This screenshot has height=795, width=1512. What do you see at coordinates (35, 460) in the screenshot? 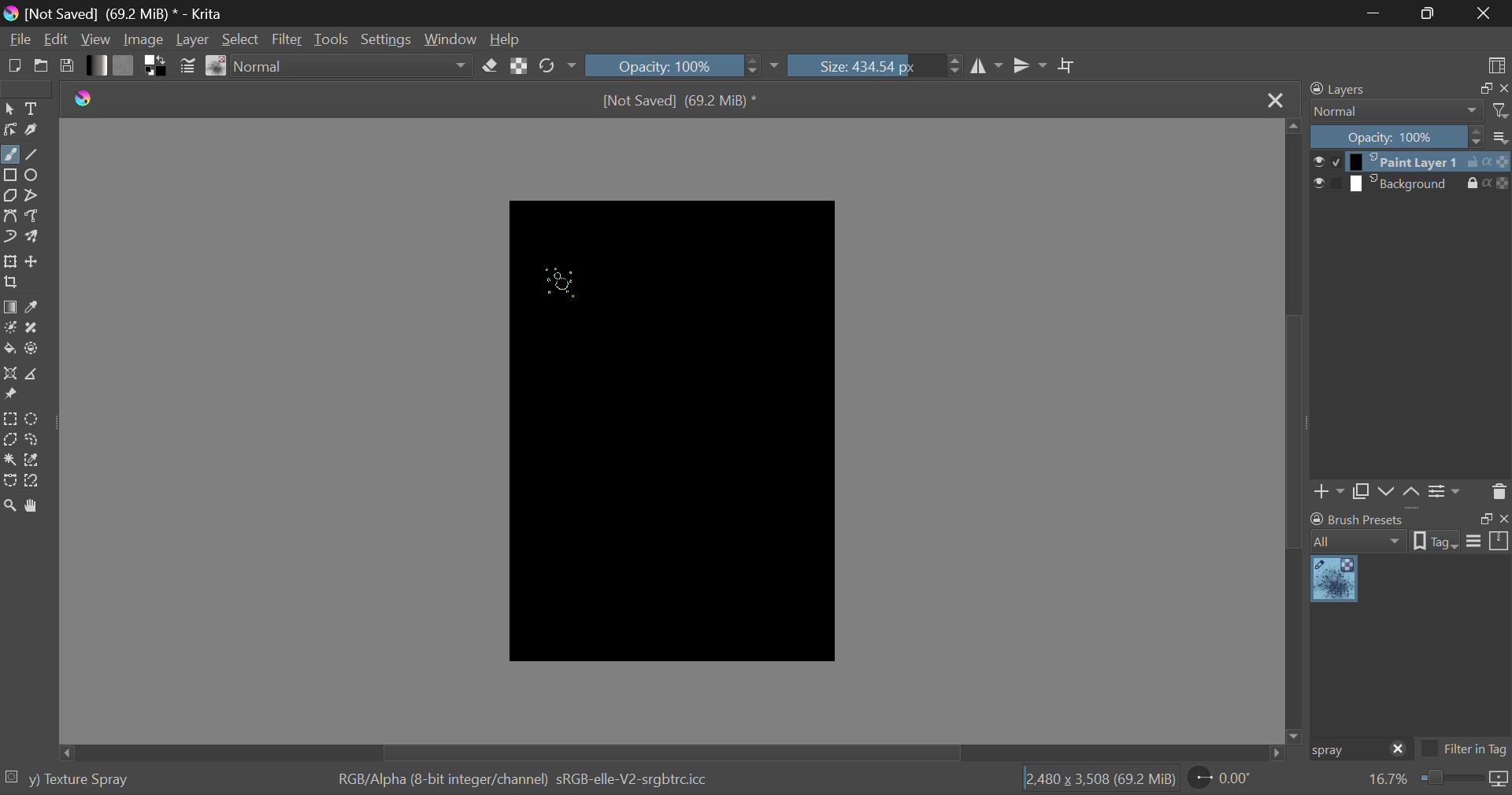
I see `Similar Color Selector` at bounding box center [35, 460].